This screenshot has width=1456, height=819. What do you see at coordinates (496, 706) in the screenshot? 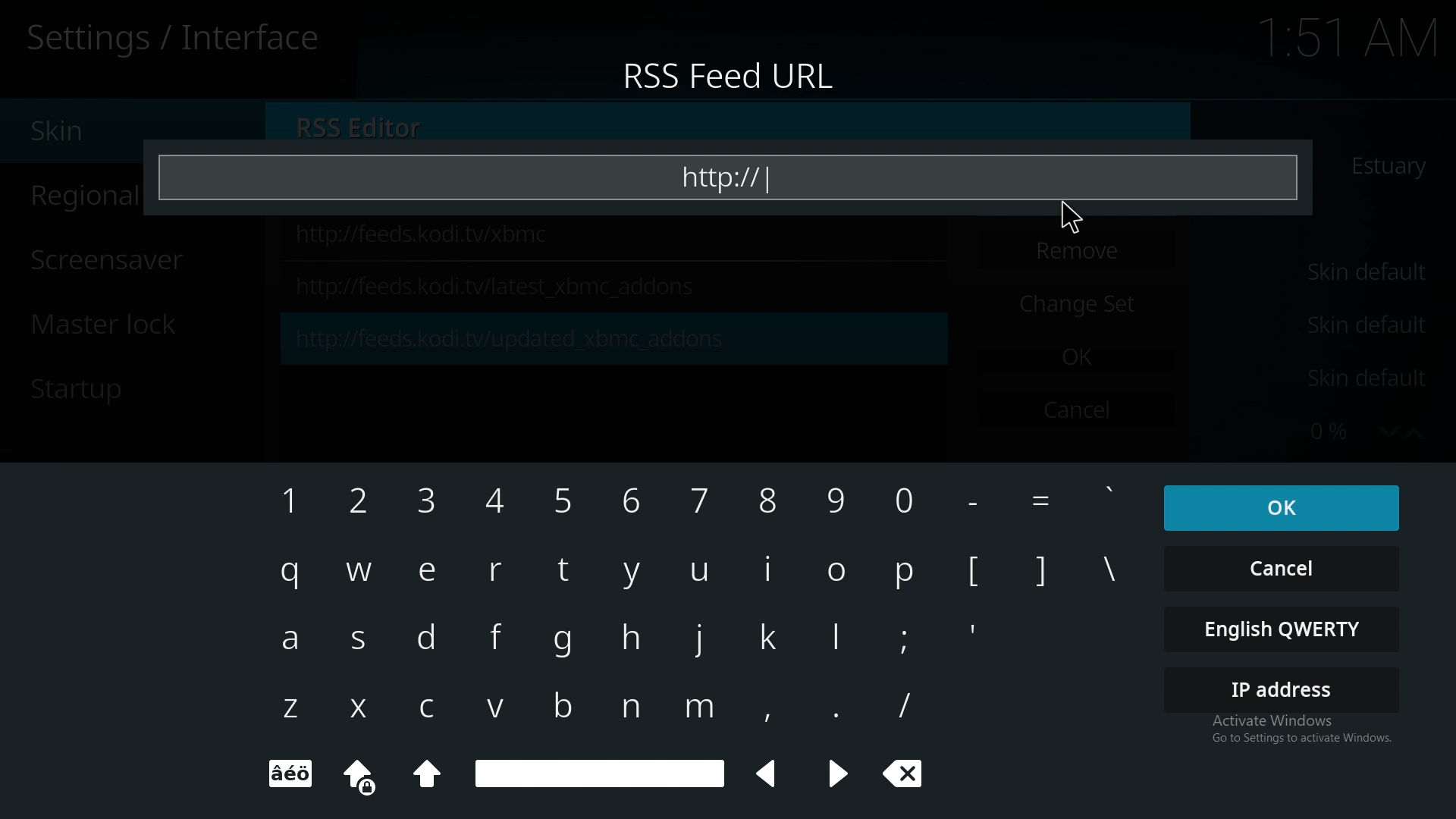
I see `v` at bounding box center [496, 706].